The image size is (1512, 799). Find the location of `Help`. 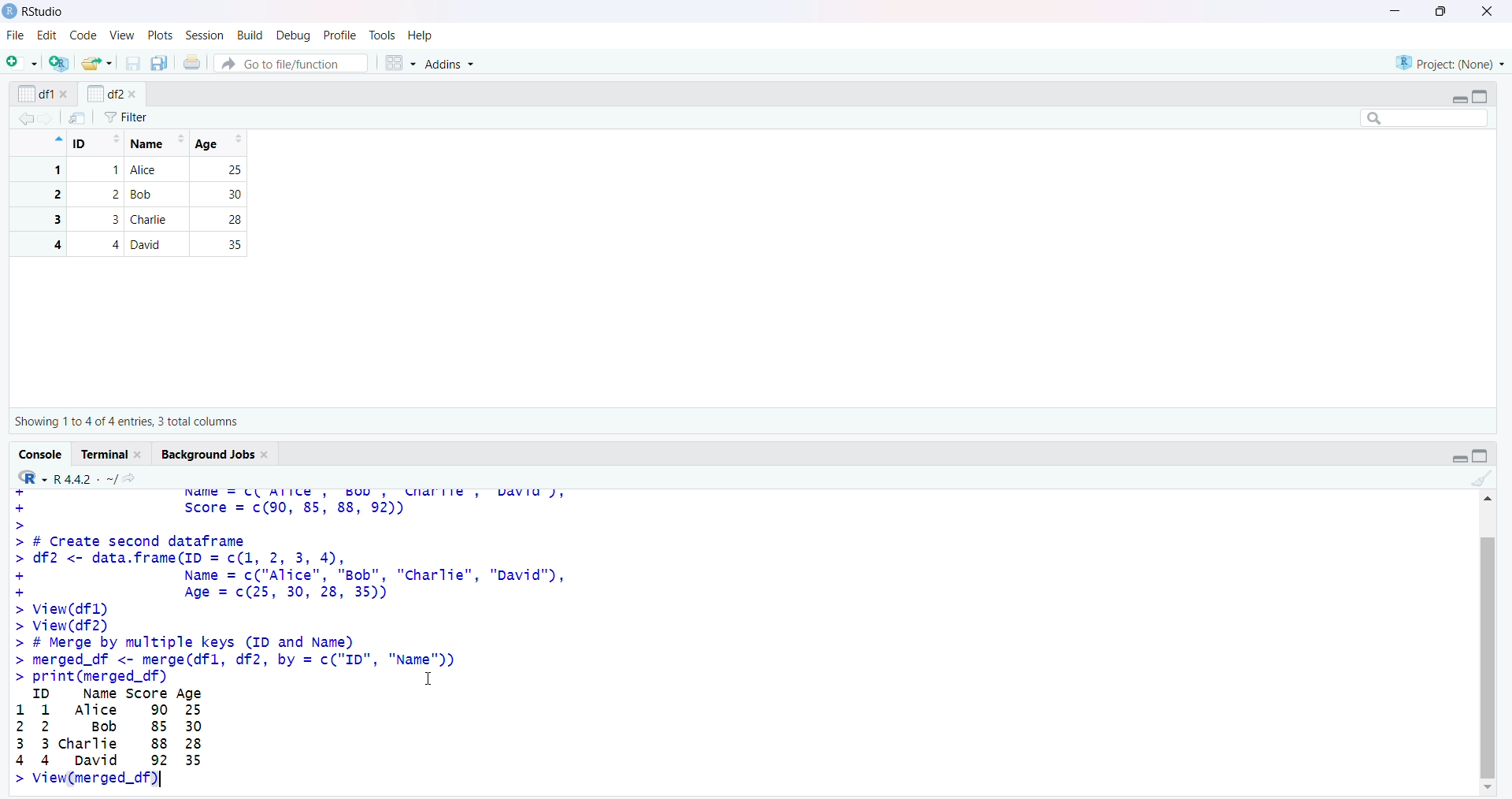

Help is located at coordinates (420, 35).